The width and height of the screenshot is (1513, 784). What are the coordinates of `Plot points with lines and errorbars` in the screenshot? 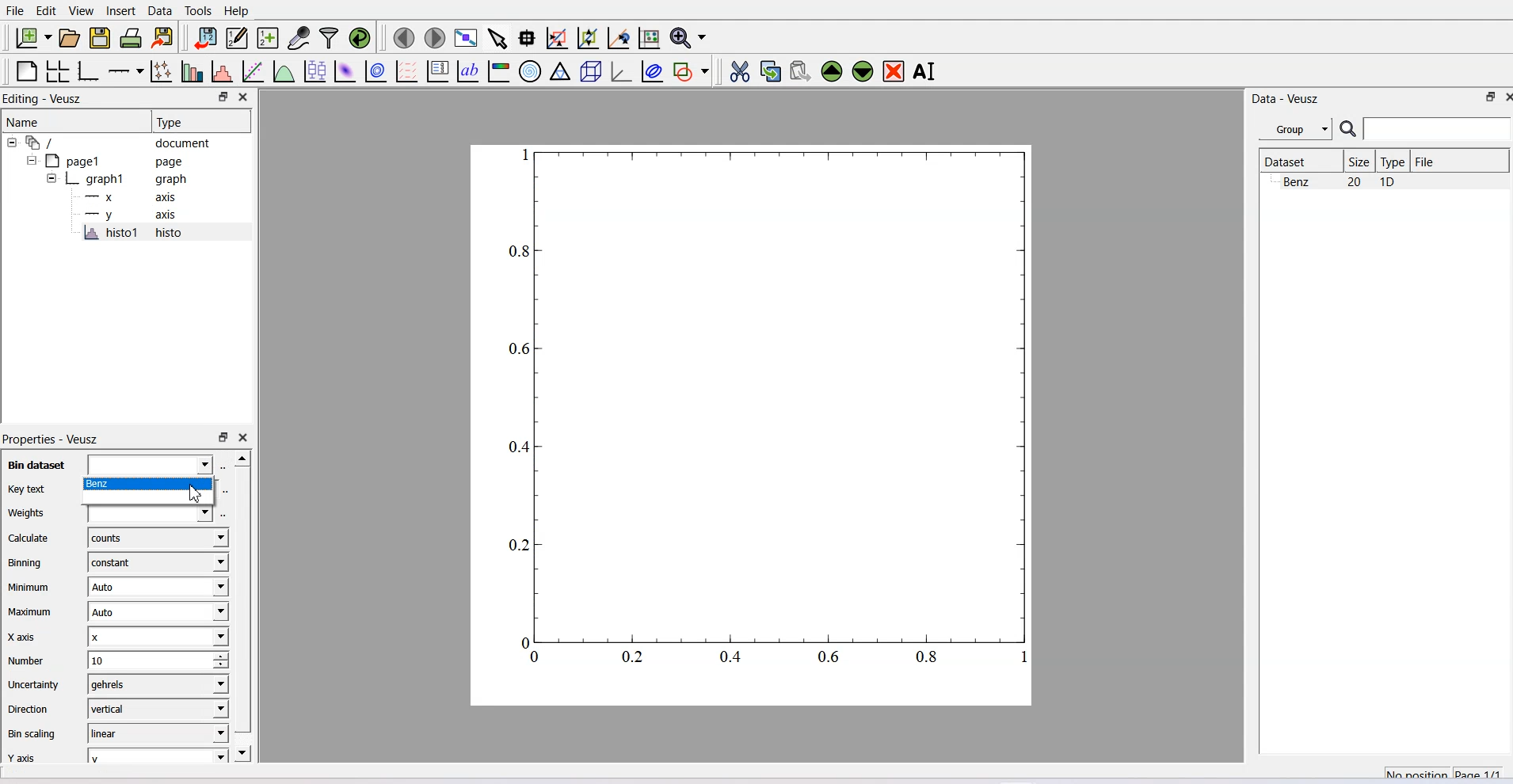 It's located at (162, 71).